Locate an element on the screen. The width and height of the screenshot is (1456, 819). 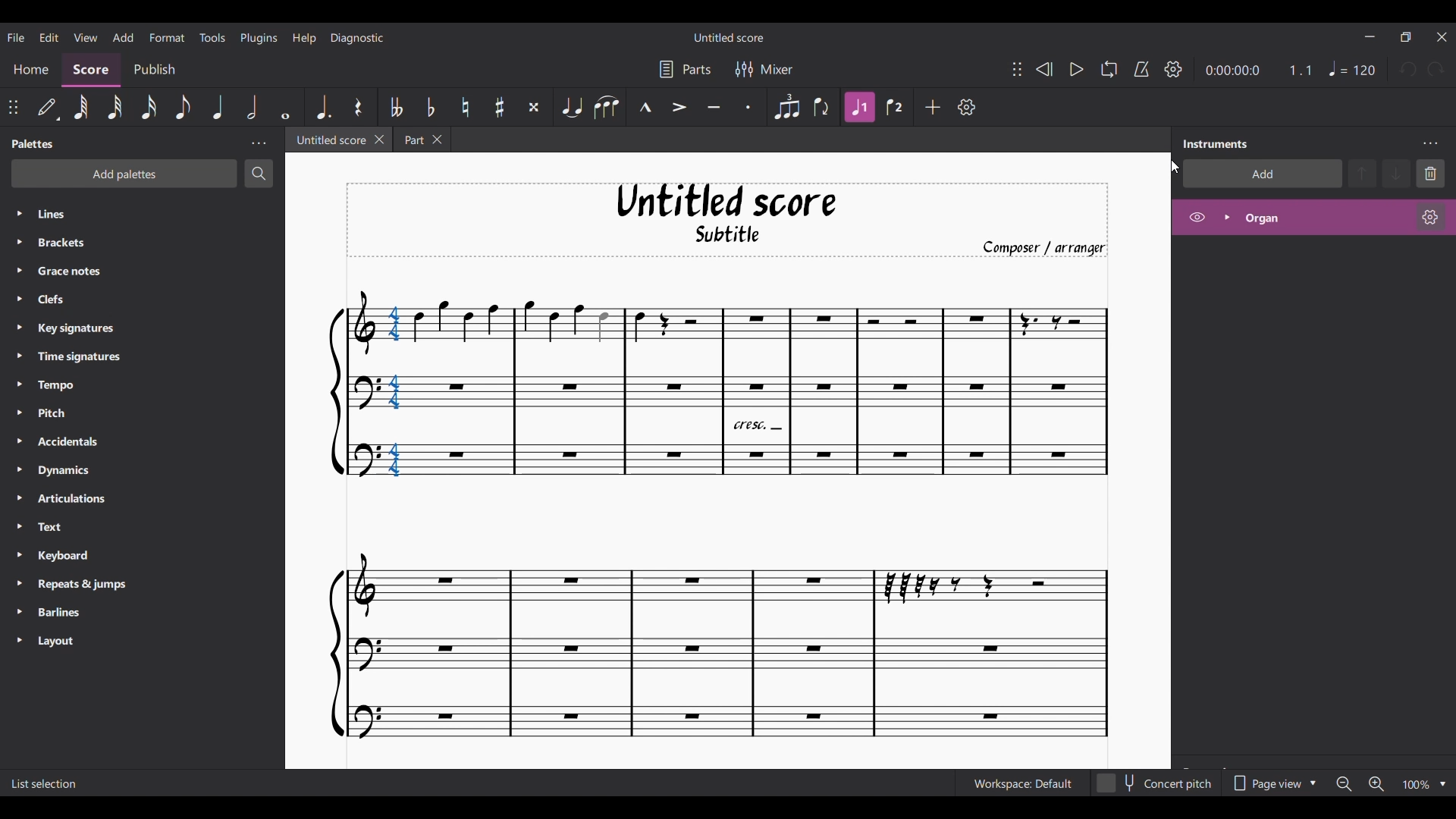
Looping playback is located at coordinates (1109, 69).